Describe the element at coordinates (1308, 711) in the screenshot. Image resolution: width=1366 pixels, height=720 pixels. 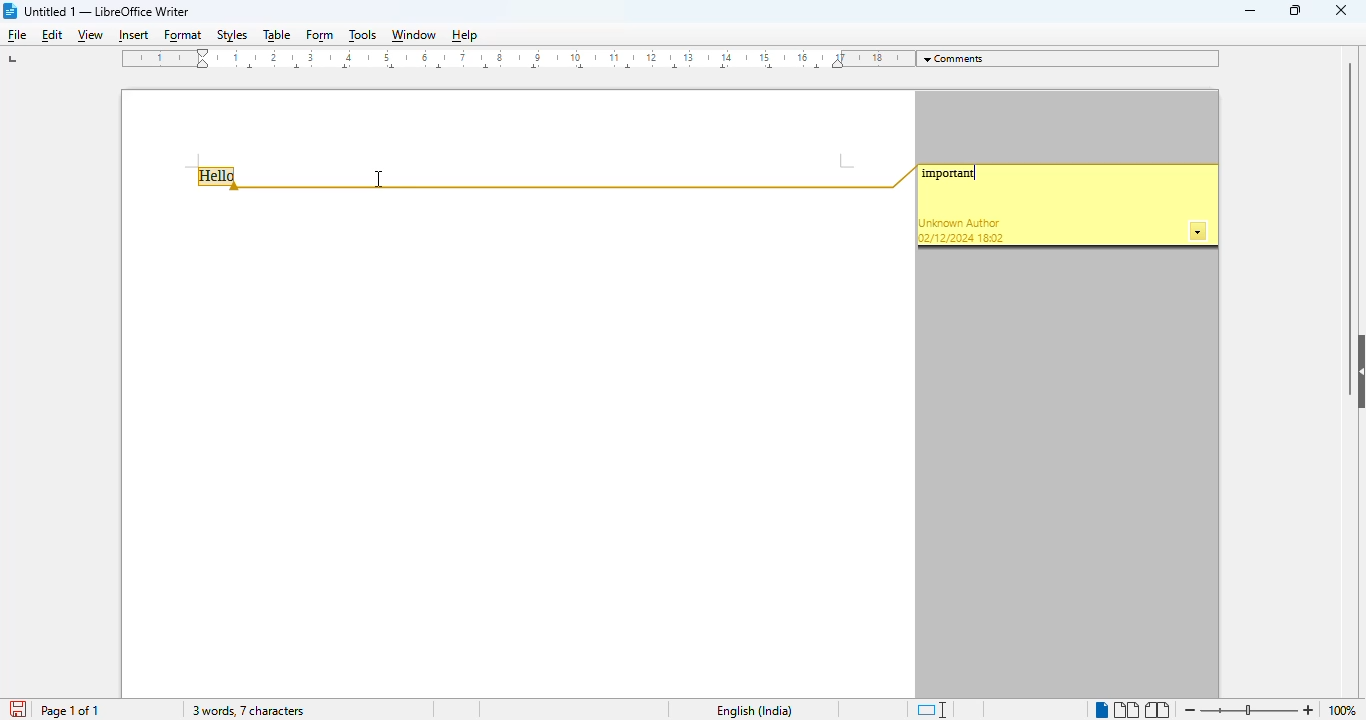
I see `zoom in` at that location.